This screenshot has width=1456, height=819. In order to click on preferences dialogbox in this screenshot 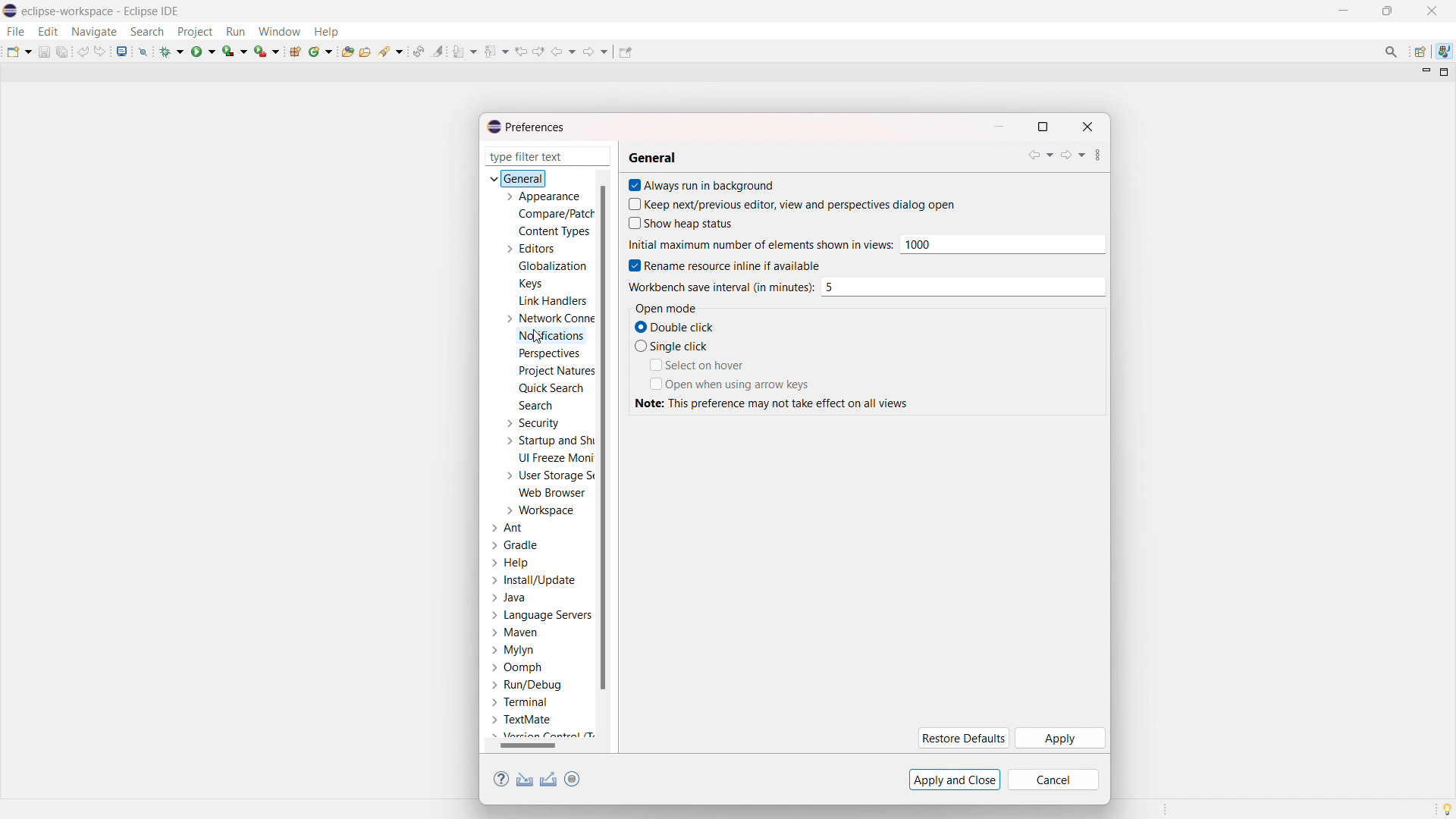, I will do `click(525, 127)`.